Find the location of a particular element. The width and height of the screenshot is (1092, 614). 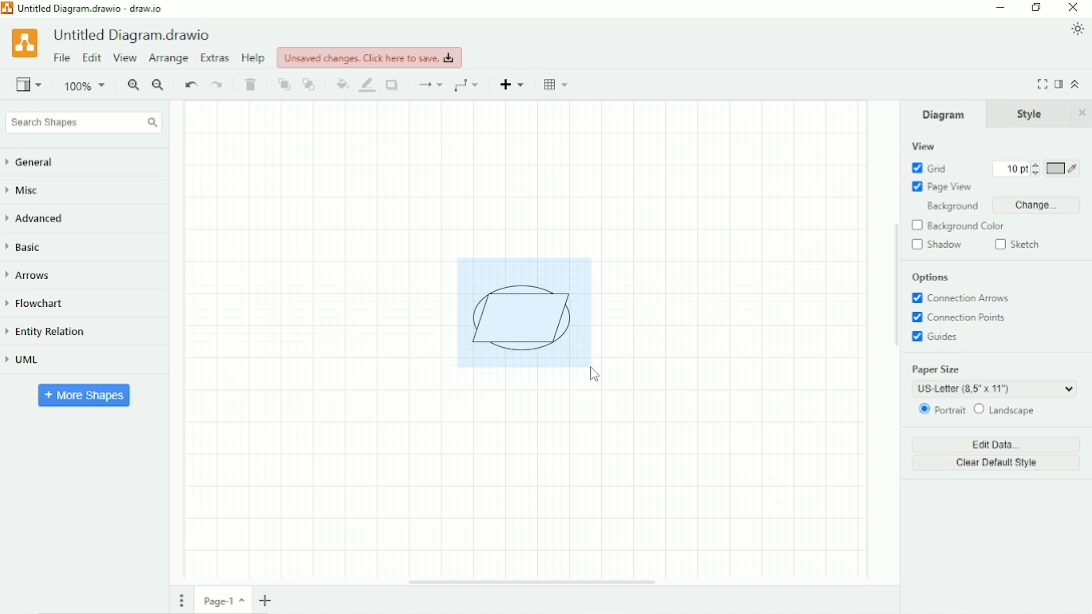

Style is located at coordinates (1032, 114).